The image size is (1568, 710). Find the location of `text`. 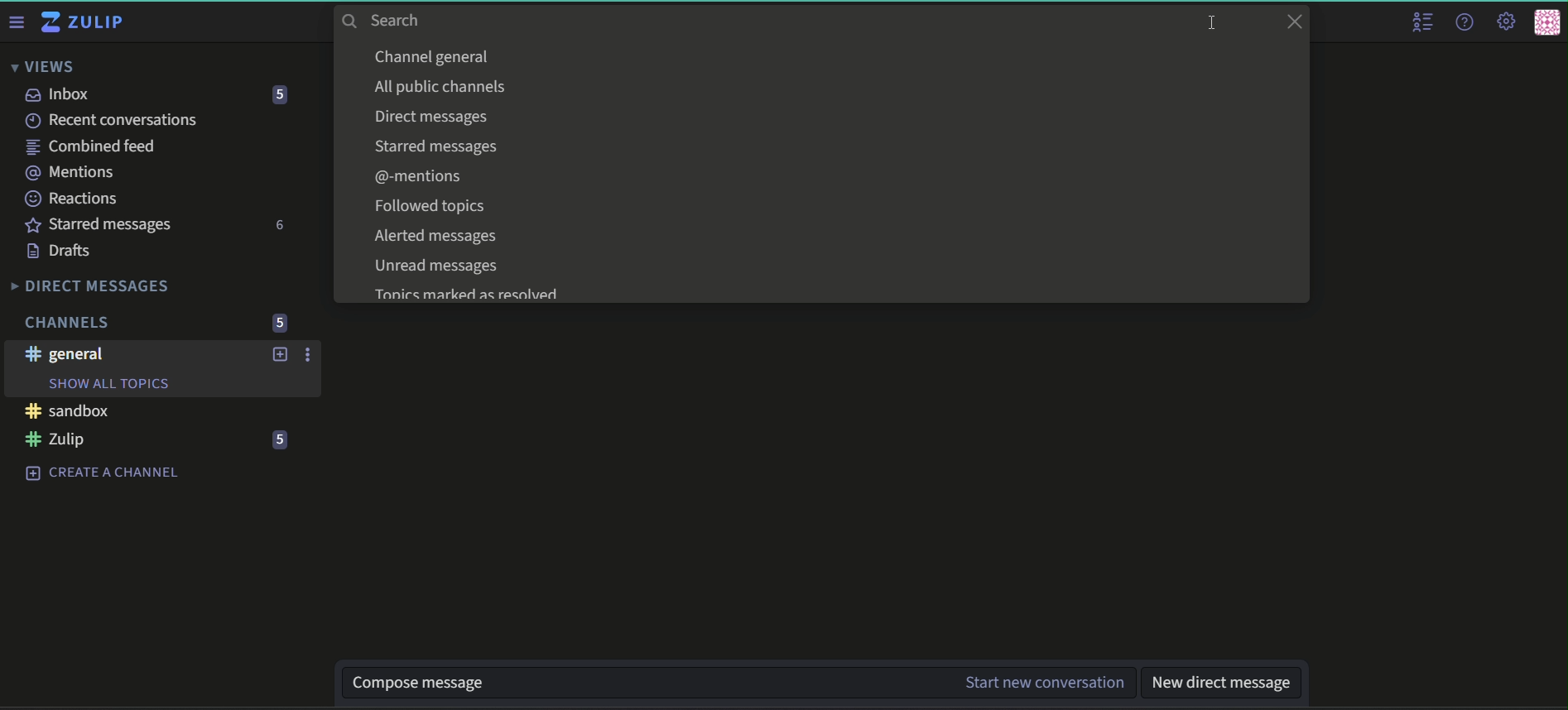

text is located at coordinates (435, 146).